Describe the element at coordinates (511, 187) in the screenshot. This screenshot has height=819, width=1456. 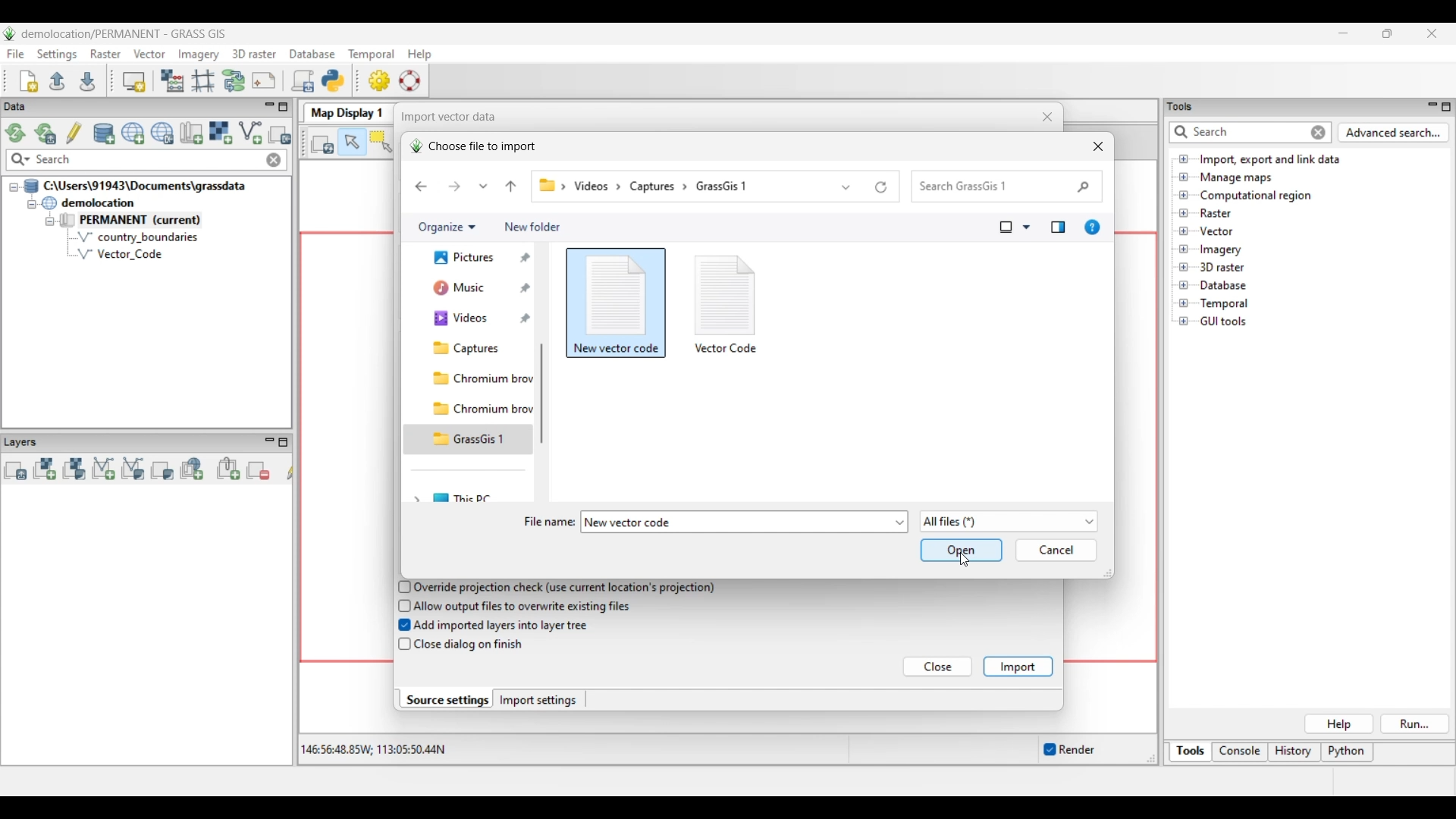
I see `Go to the file before current file in file pathway` at that location.